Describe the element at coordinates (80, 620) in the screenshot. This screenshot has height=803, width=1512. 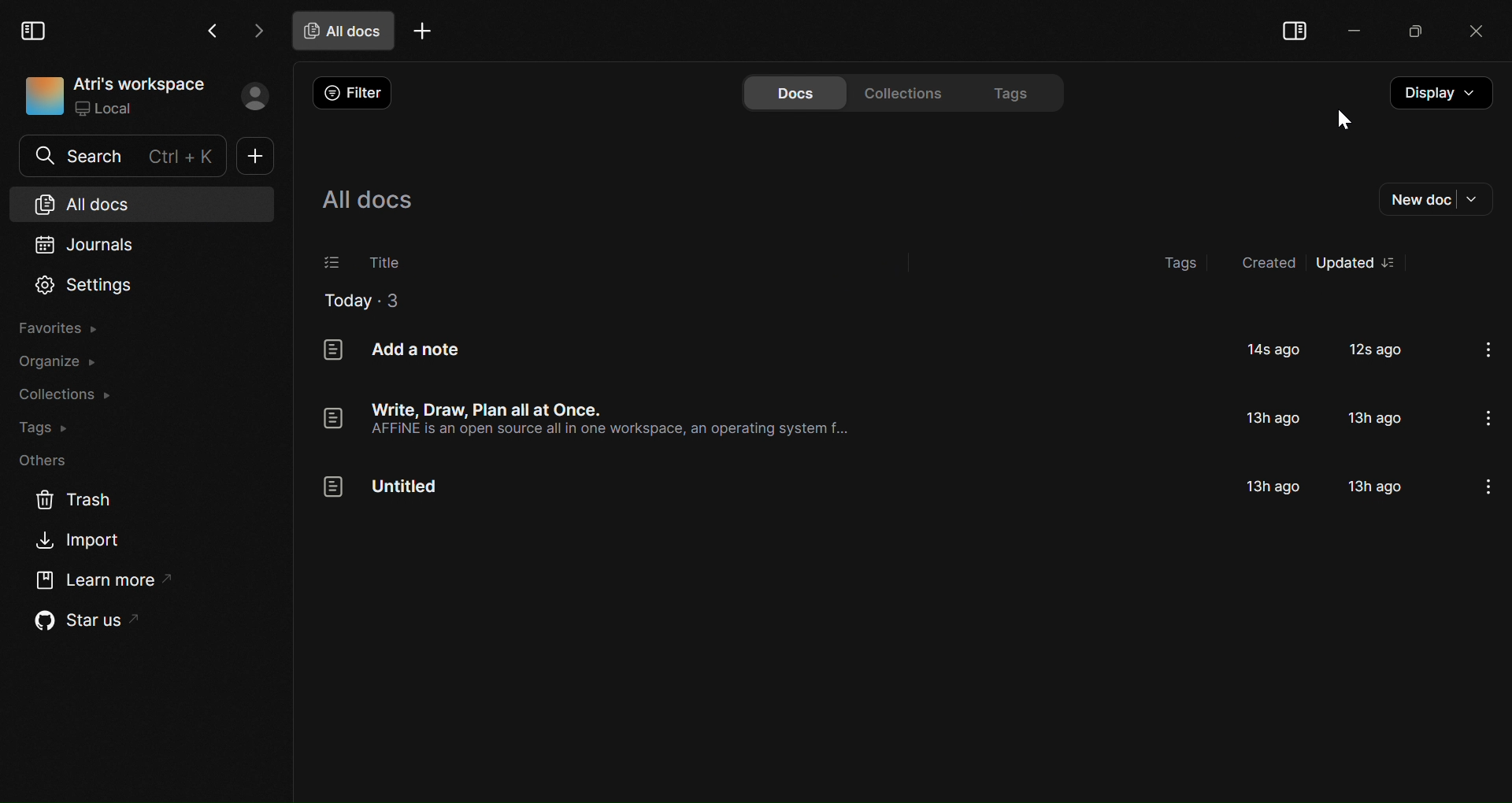
I see `Star us` at that location.